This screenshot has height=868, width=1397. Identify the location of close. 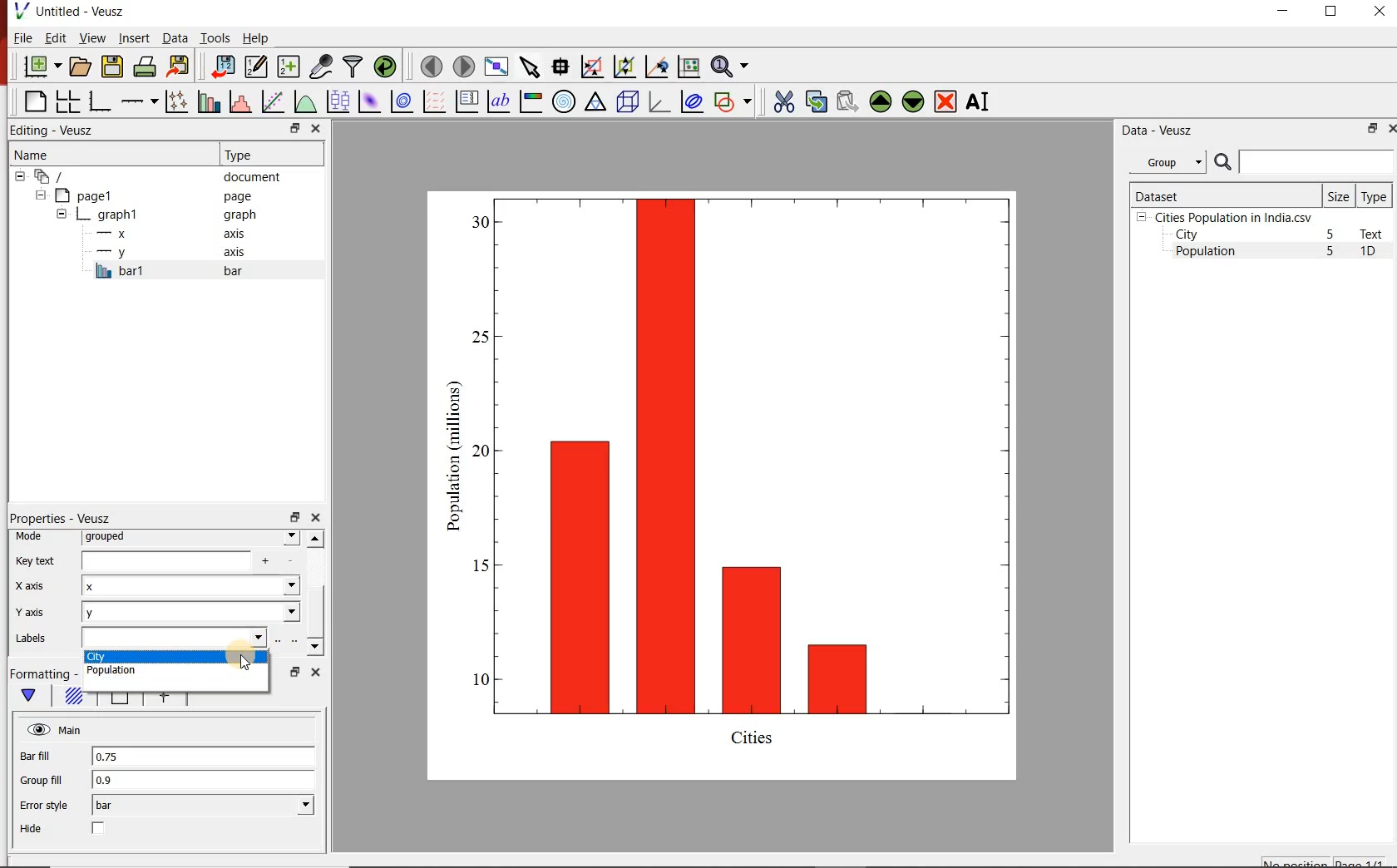
(318, 128).